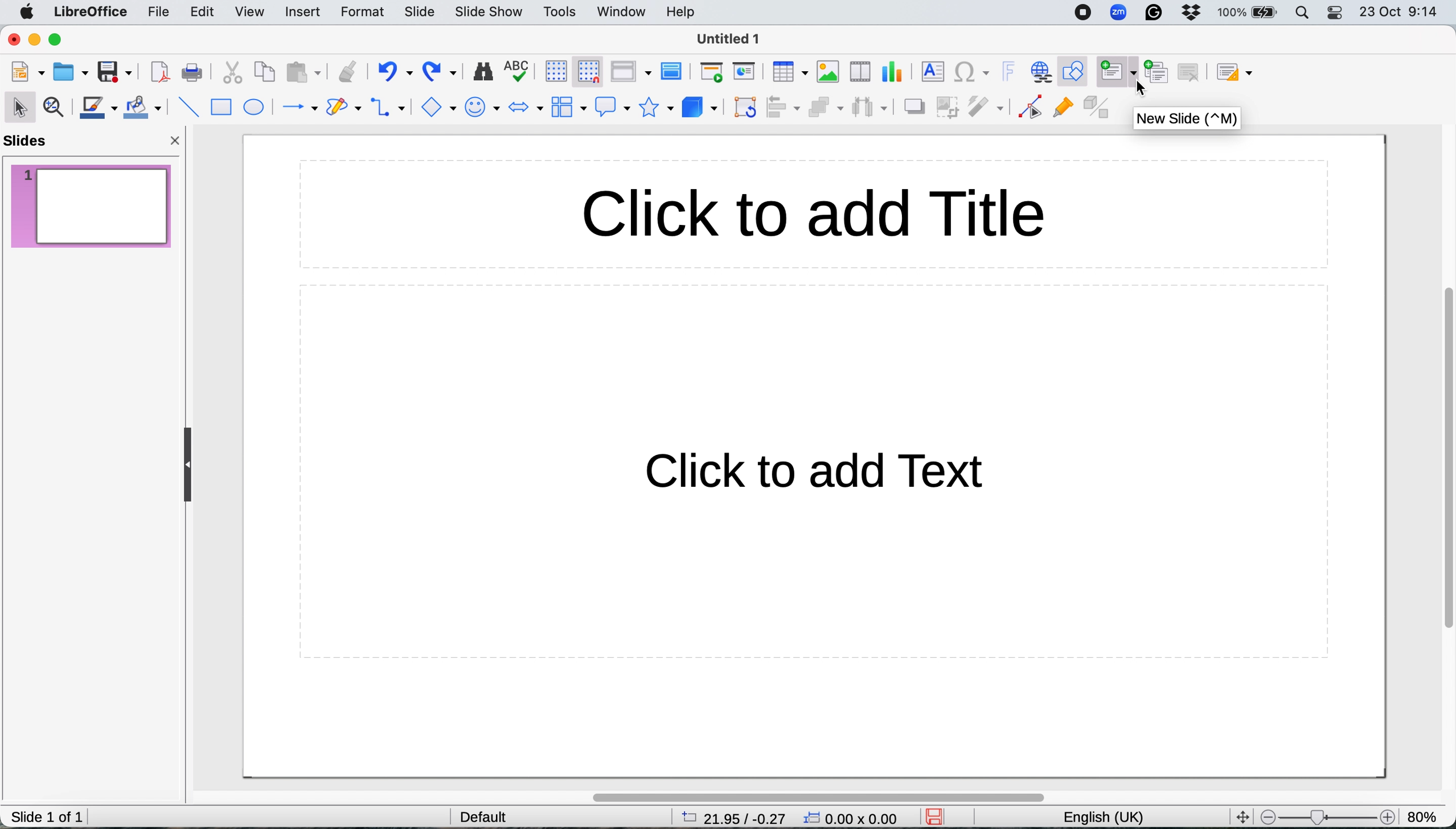  I want to click on slide layout, so click(1234, 72).